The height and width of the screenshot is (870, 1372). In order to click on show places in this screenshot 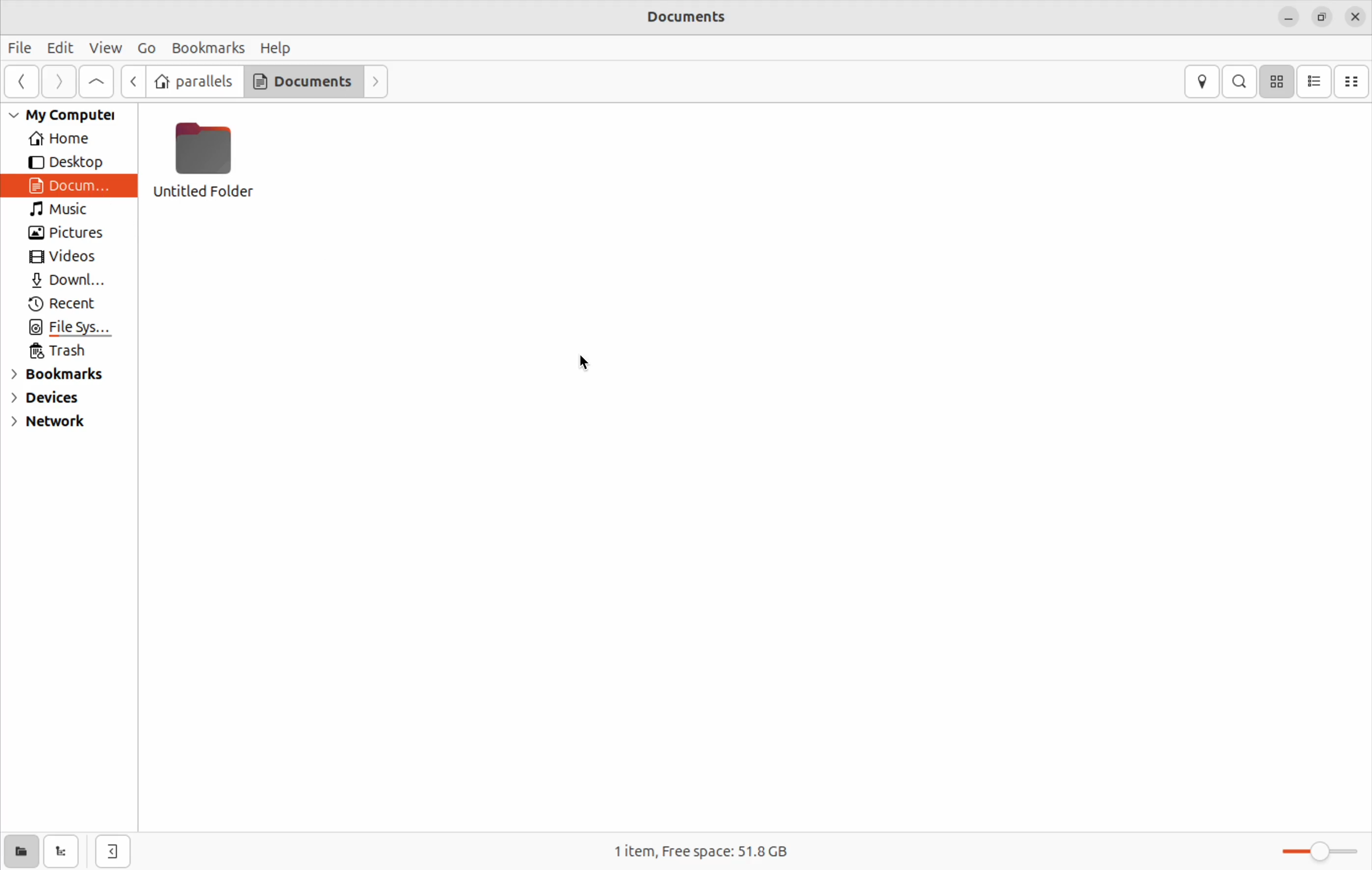, I will do `click(19, 851)`.